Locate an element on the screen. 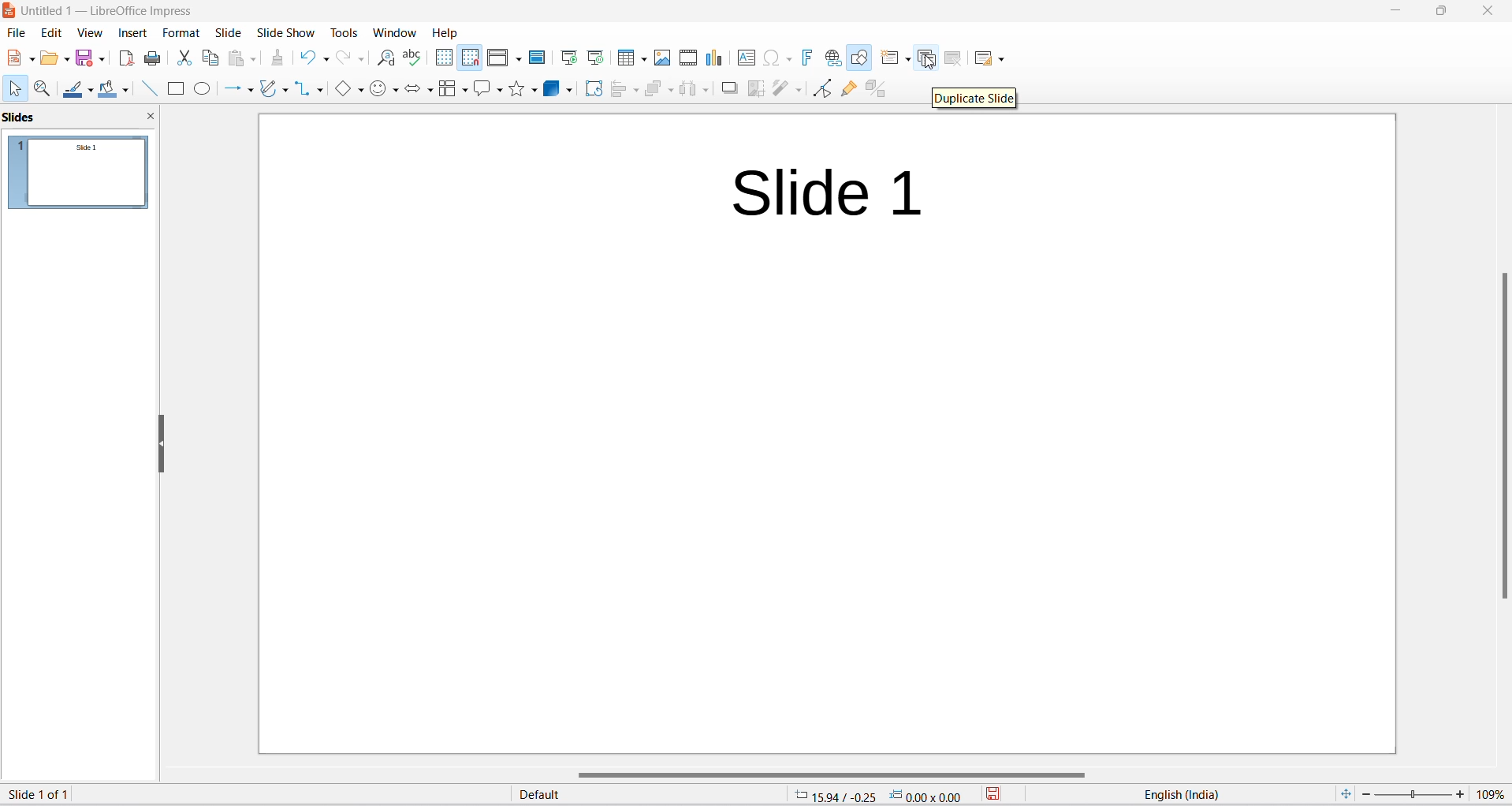 The height and width of the screenshot is (806, 1512). zoom percentage is located at coordinates (1493, 794).